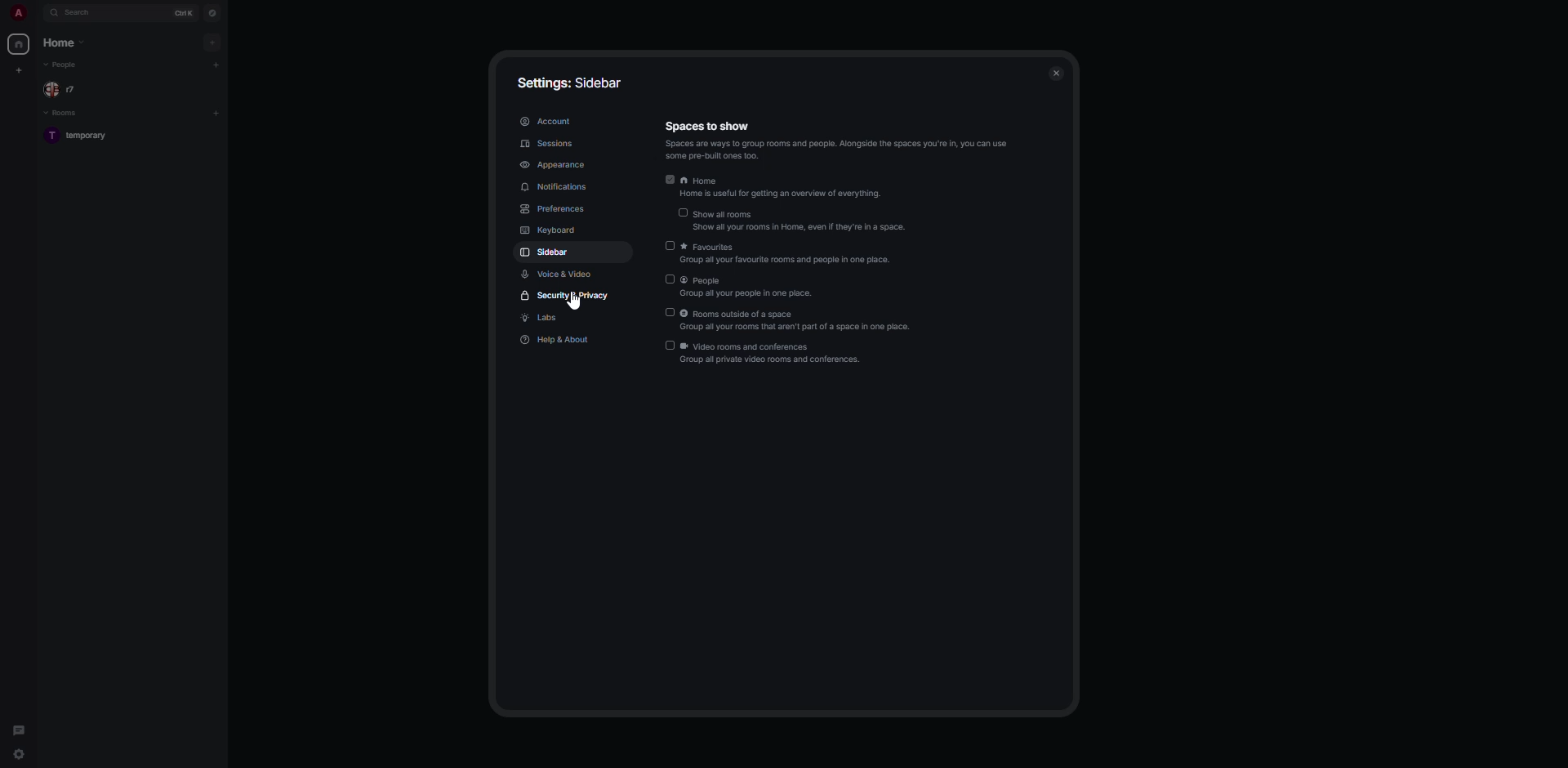 The width and height of the screenshot is (1568, 768). I want to click on profile, so click(15, 12).